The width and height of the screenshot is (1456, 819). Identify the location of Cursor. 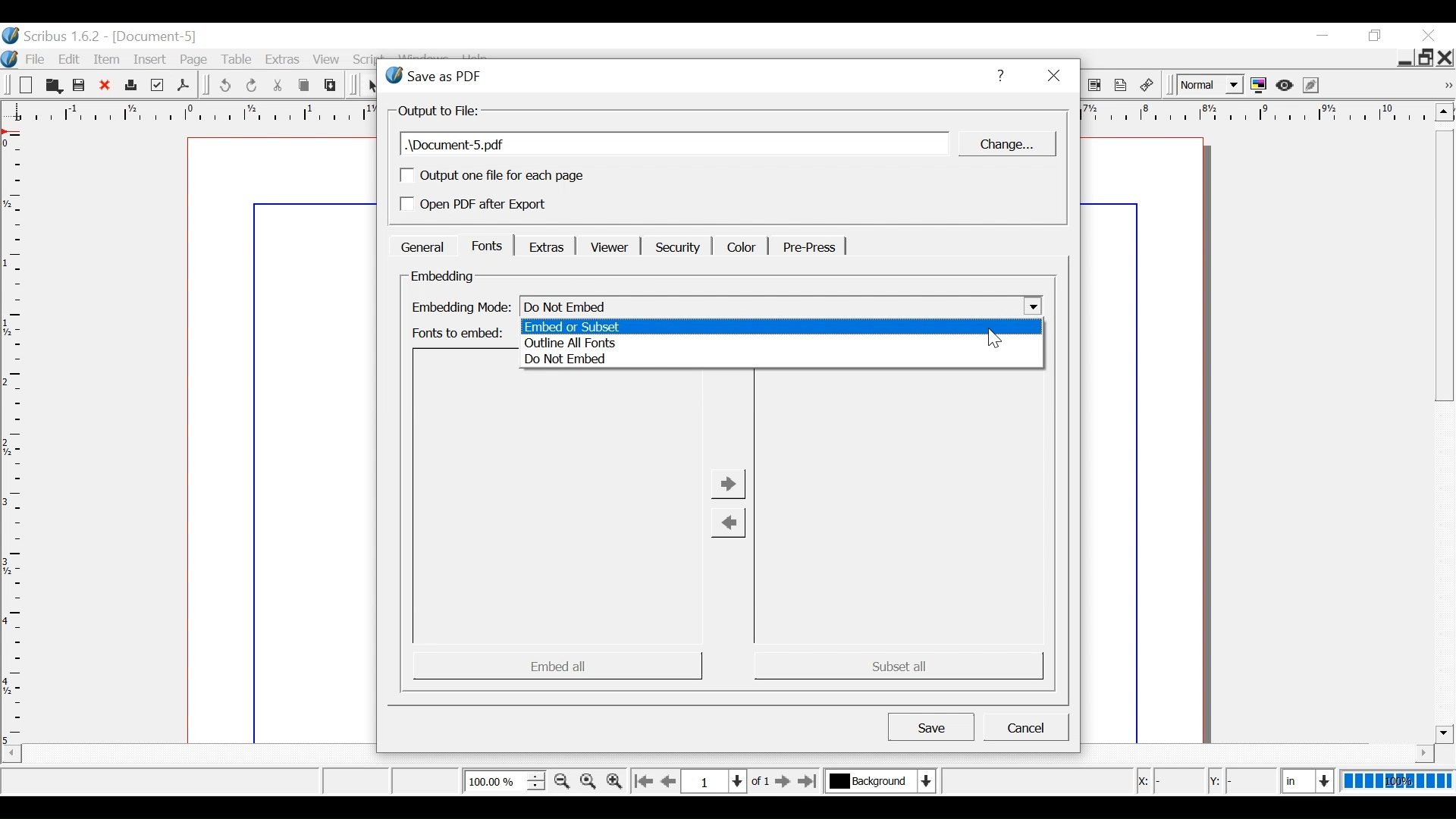
(996, 340).